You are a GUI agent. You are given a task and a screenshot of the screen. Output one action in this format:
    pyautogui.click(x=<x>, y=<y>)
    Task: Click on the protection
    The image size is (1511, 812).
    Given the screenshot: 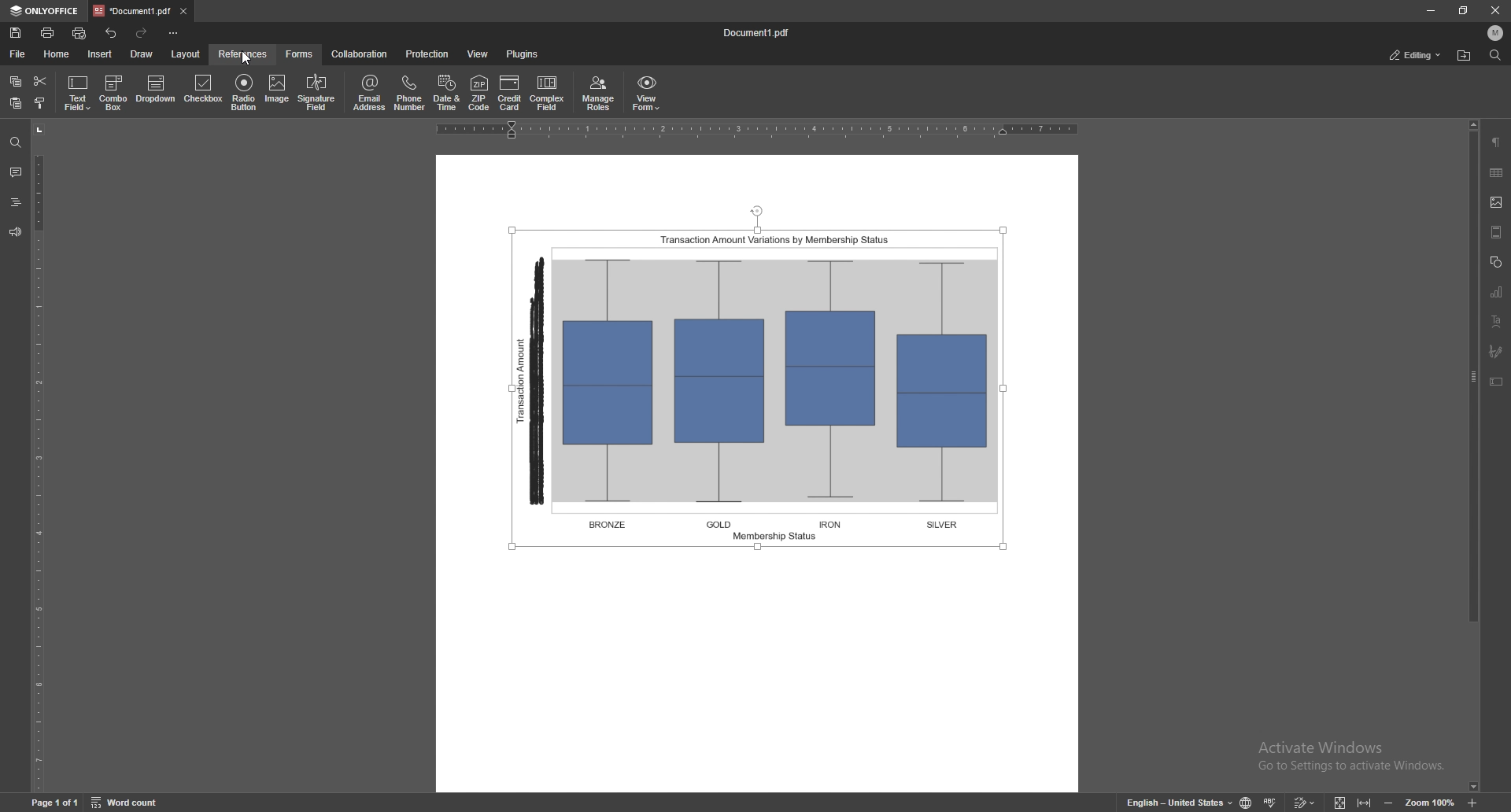 What is the action you would take?
    pyautogui.click(x=427, y=54)
    